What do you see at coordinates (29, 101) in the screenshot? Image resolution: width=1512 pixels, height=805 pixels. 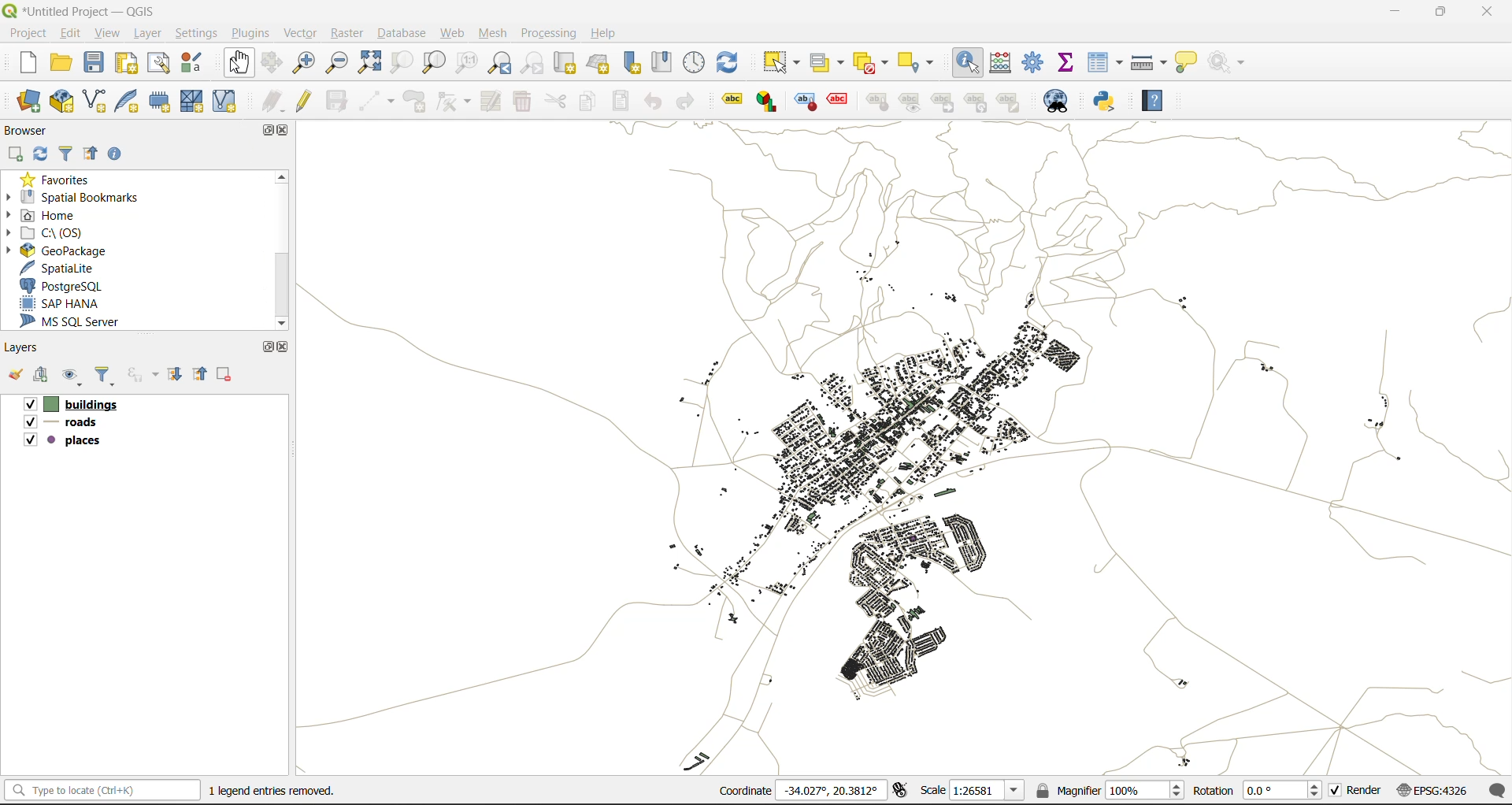 I see `open data source manager` at bounding box center [29, 101].